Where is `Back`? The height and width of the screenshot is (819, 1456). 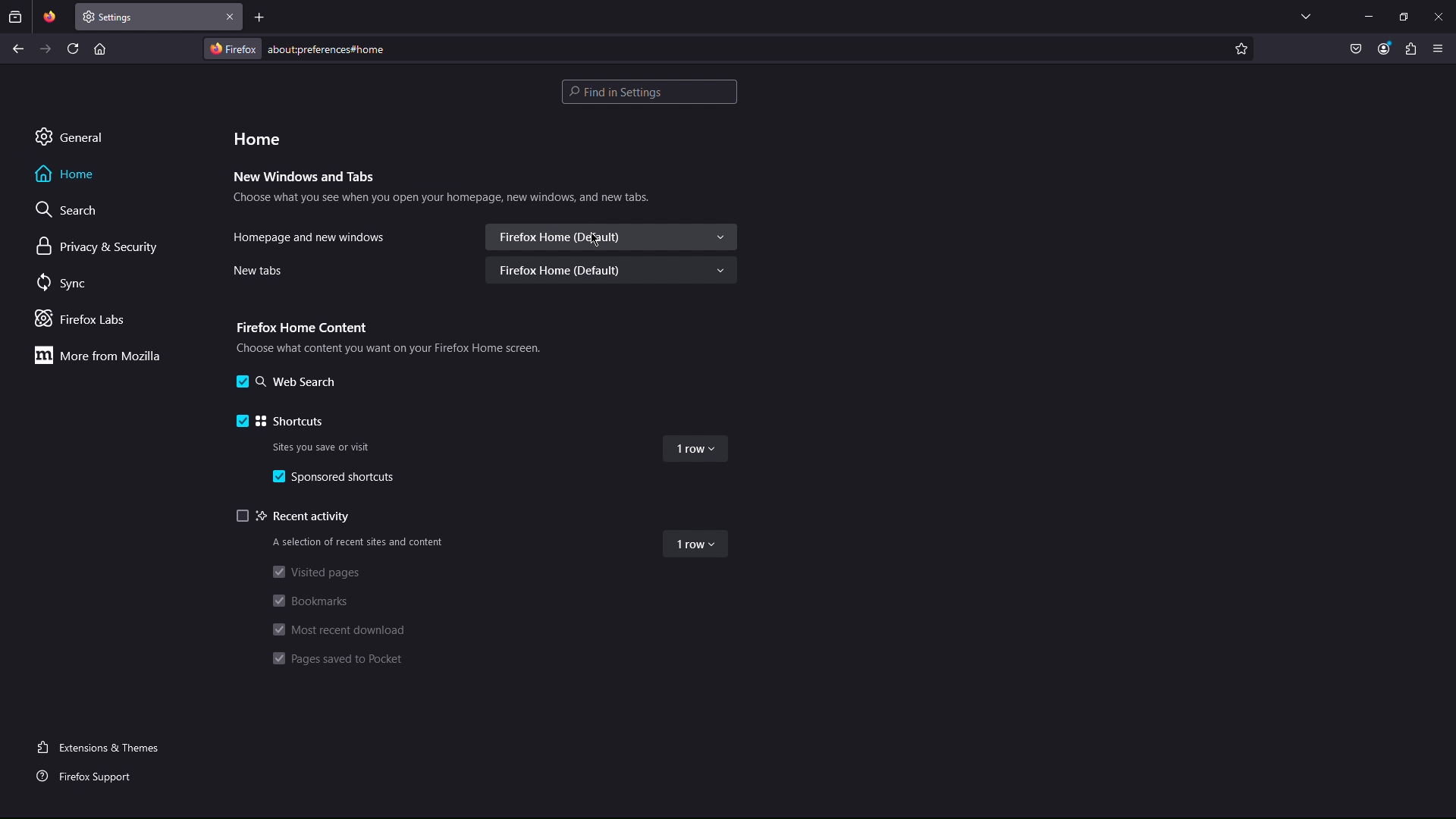
Back is located at coordinates (18, 49).